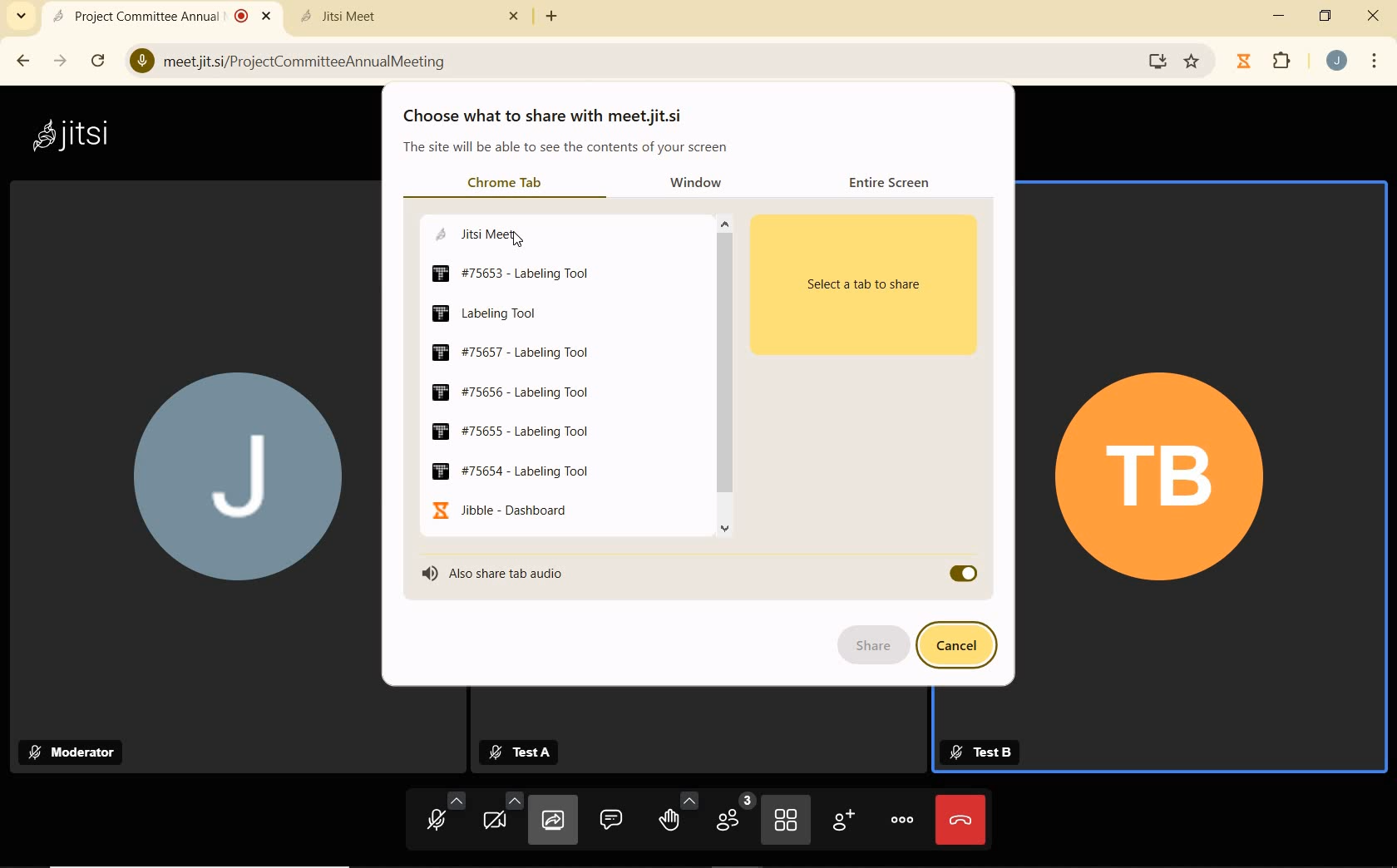 The width and height of the screenshot is (1397, 868). What do you see at coordinates (507, 391) in the screenshot?
I see `#75656 - Labeling Tool` at bounding box center [507, 391].